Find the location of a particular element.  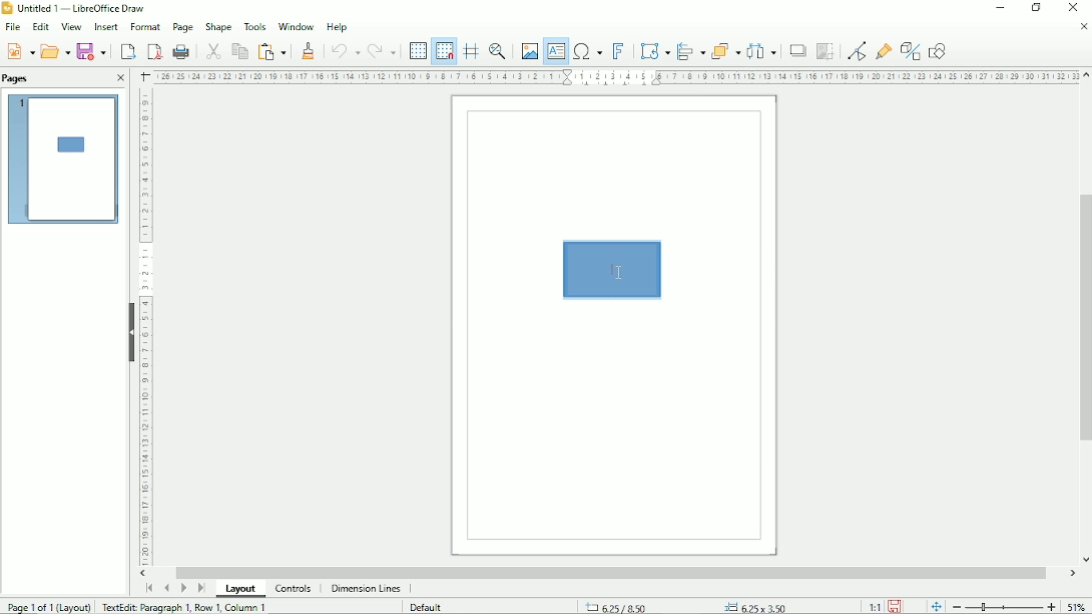

Export directly as PDF is located at coordinates (154, 51).